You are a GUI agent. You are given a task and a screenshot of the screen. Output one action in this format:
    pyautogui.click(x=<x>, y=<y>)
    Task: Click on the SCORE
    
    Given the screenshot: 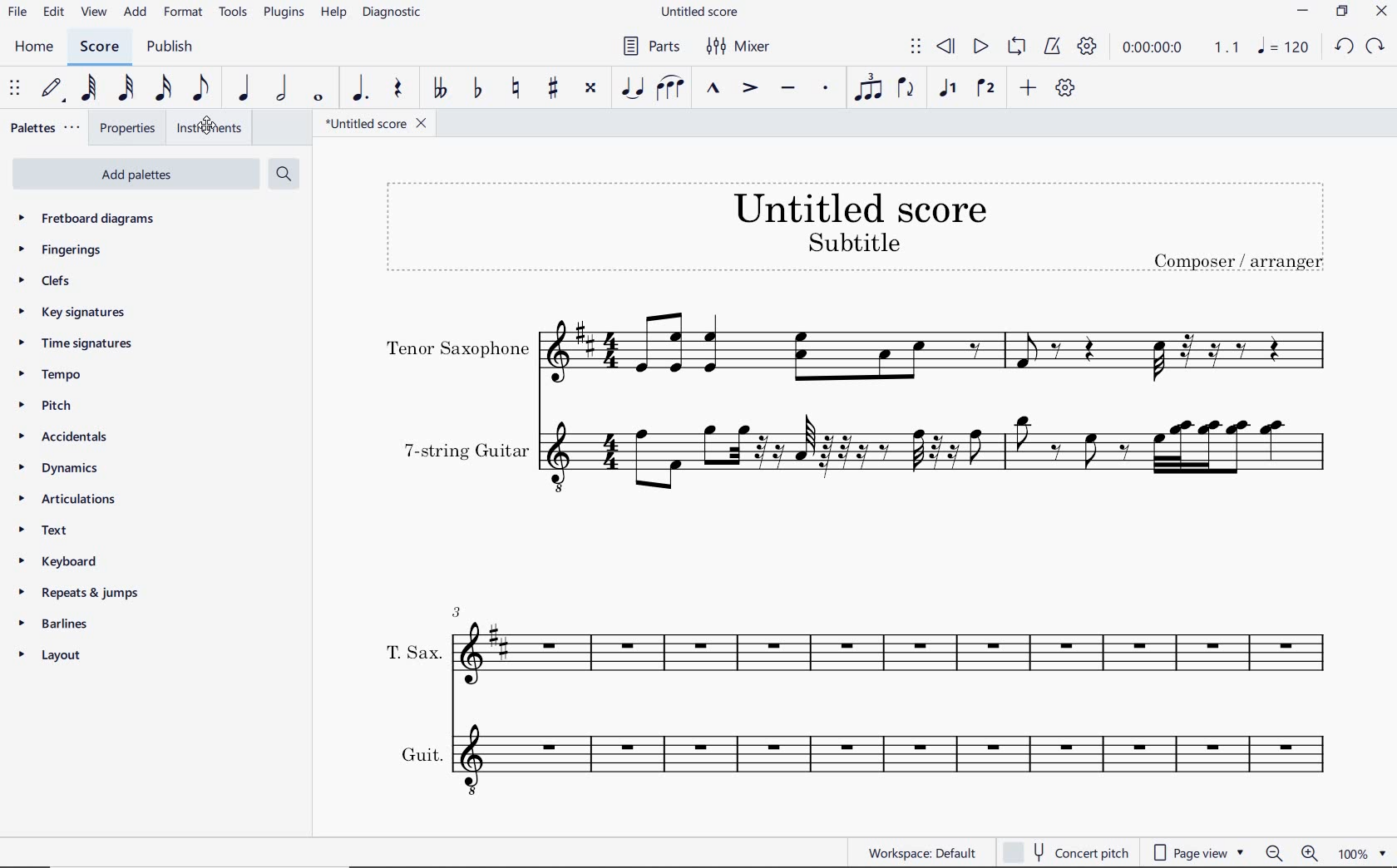 What is the action you would take?
    pyautogui.click(x=97, y=47)
    